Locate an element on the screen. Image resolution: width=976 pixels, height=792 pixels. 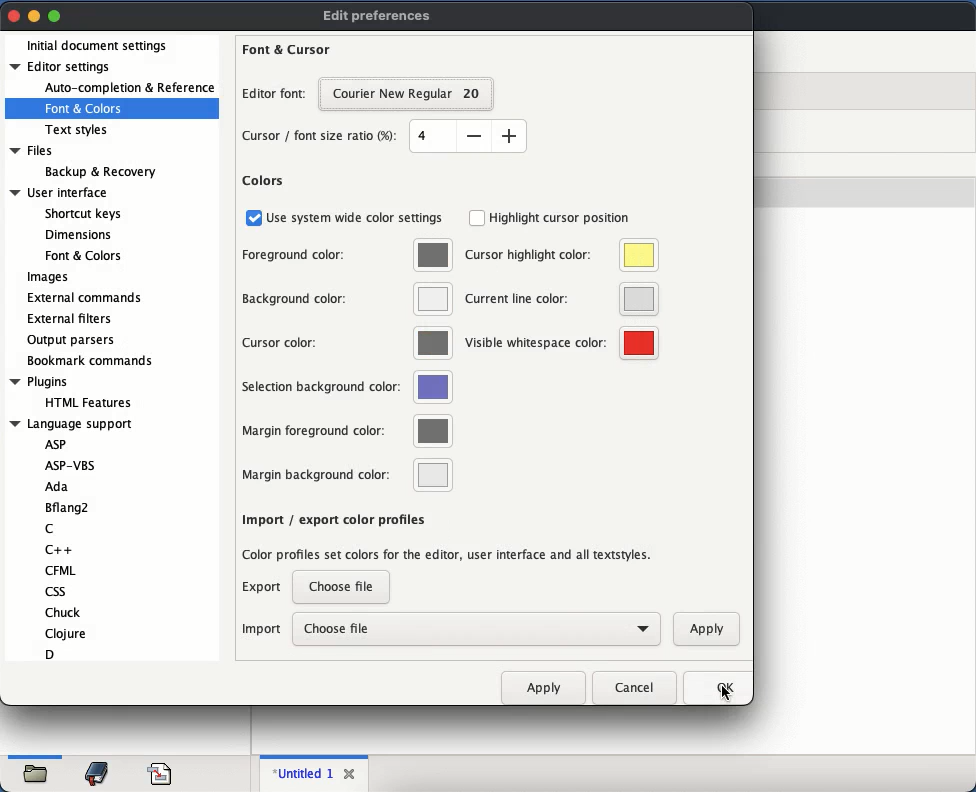
color is located at coordinates (637, 254).